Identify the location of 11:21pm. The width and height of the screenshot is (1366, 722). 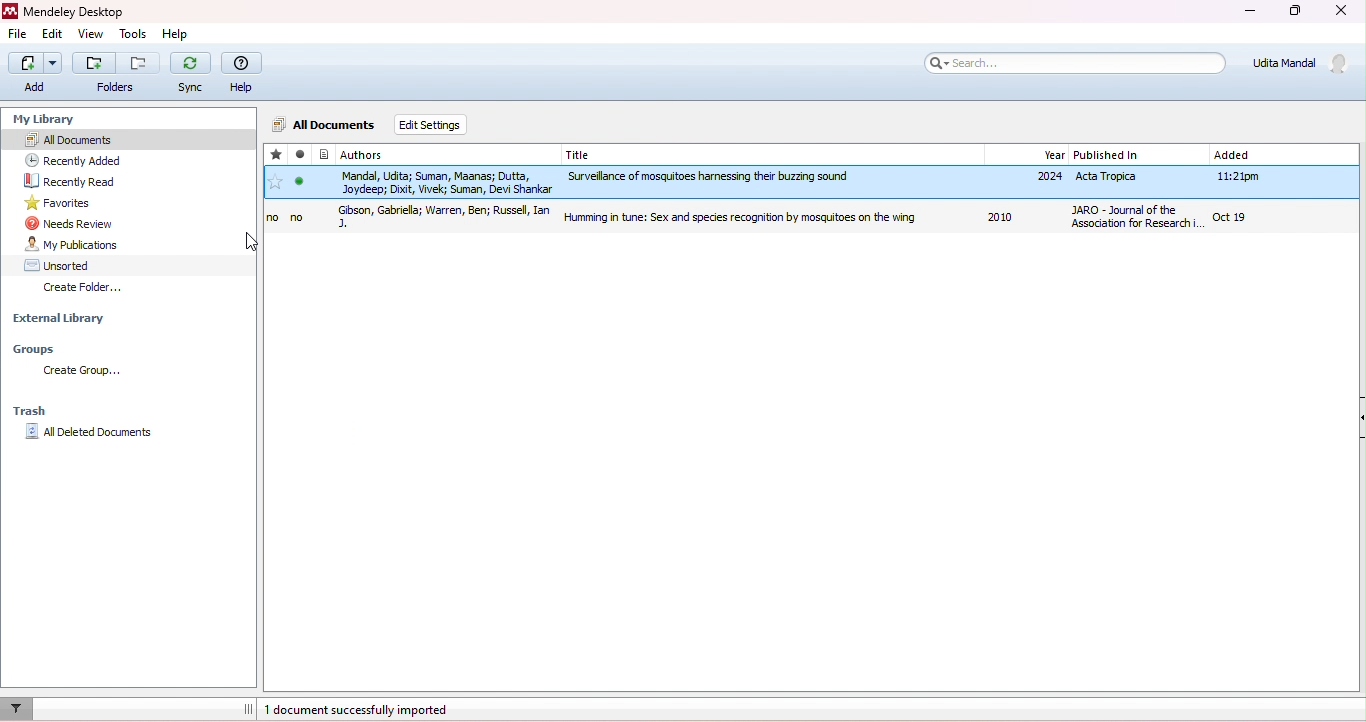
(1236, 177).